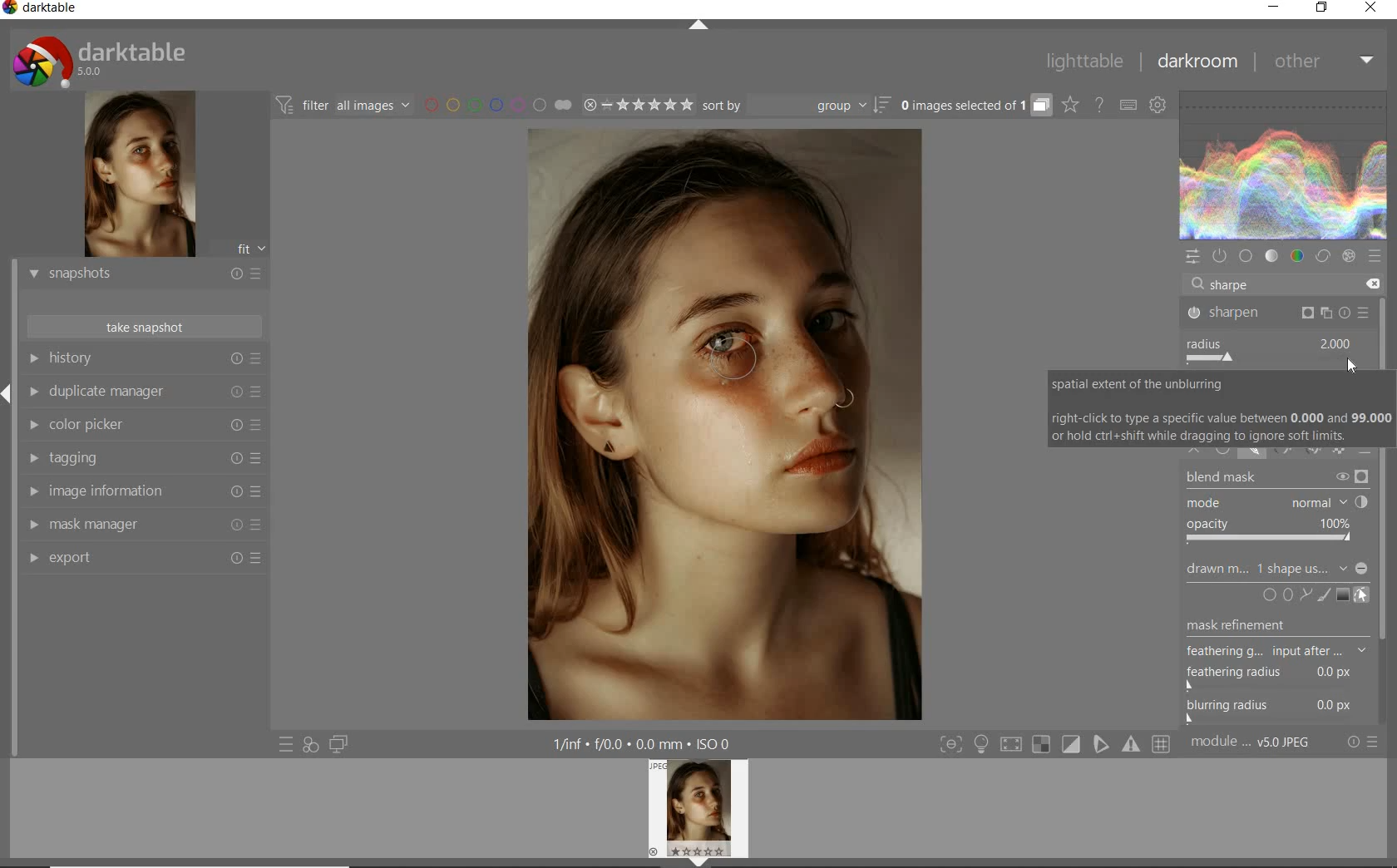 This screenshot has height=868, width=1397. Describe the element at coordinates (144, 359) in the screenshot. I see `history` at that location.